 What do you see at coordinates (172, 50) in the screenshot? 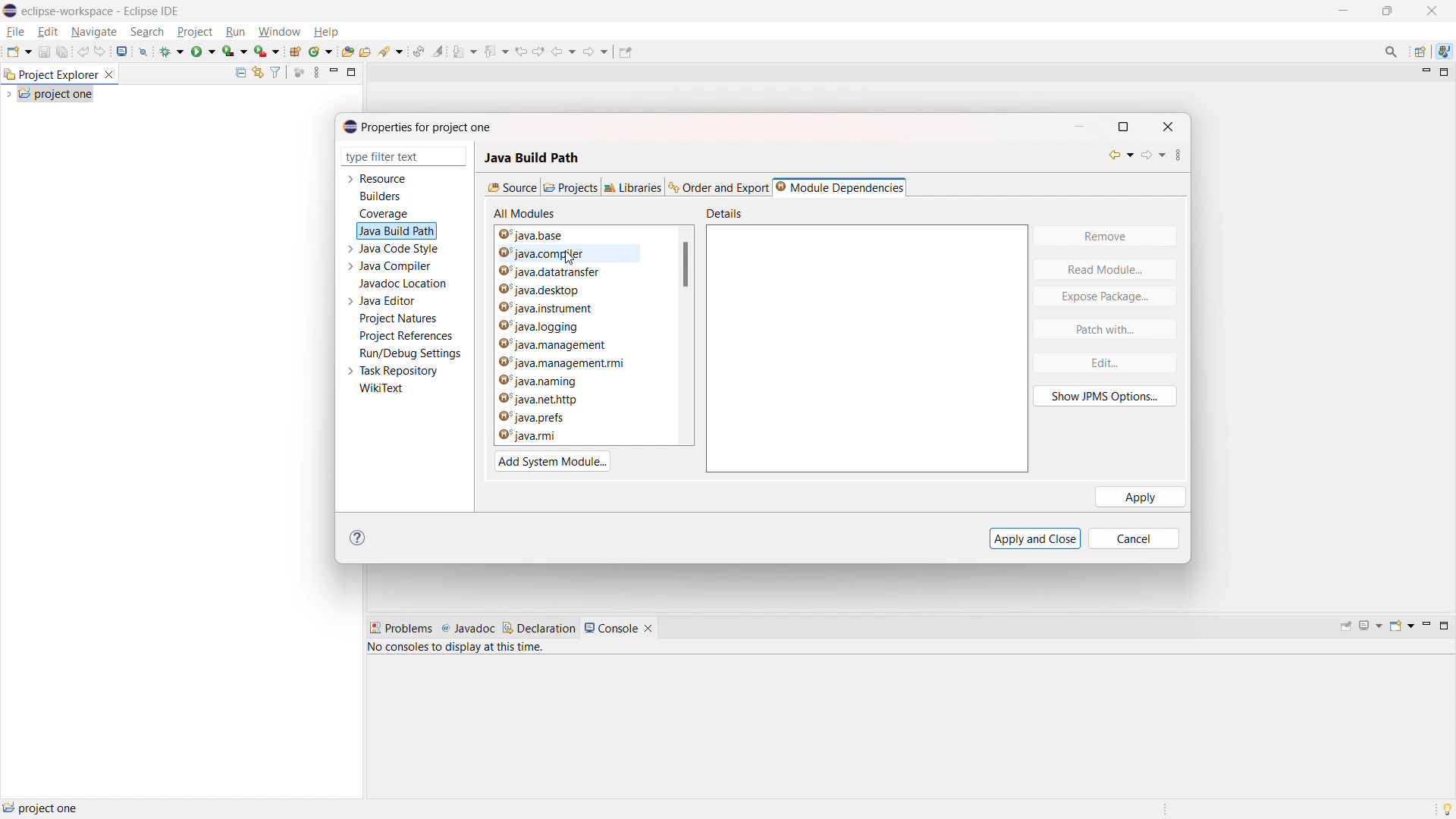
I see `debug` at bounding box center [172, 50].